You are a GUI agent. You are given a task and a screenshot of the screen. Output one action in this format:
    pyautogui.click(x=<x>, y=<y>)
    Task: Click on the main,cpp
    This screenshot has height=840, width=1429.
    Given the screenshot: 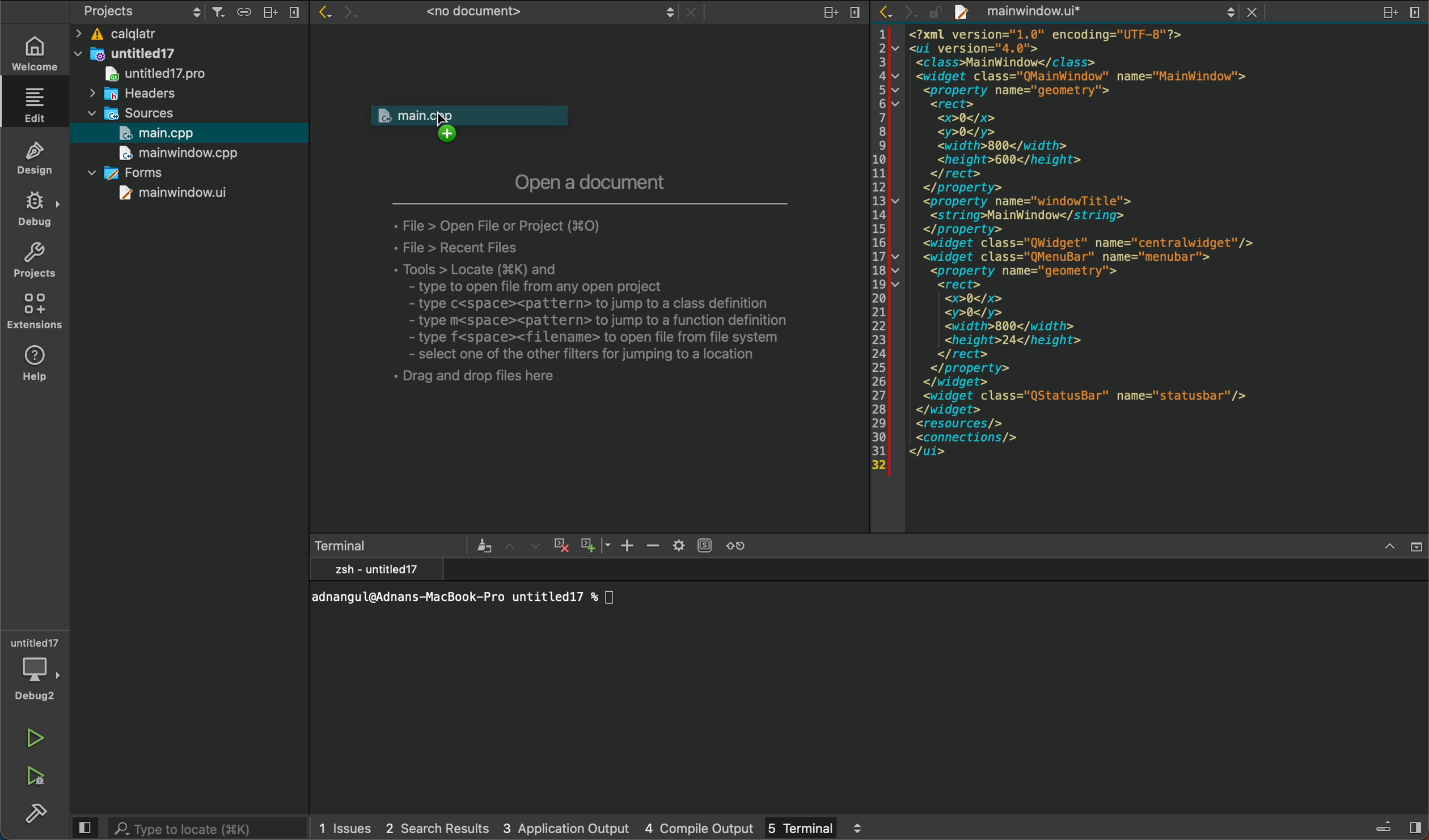 What is the action you would take?
    pyautogui.click(x=164, y=134)
    